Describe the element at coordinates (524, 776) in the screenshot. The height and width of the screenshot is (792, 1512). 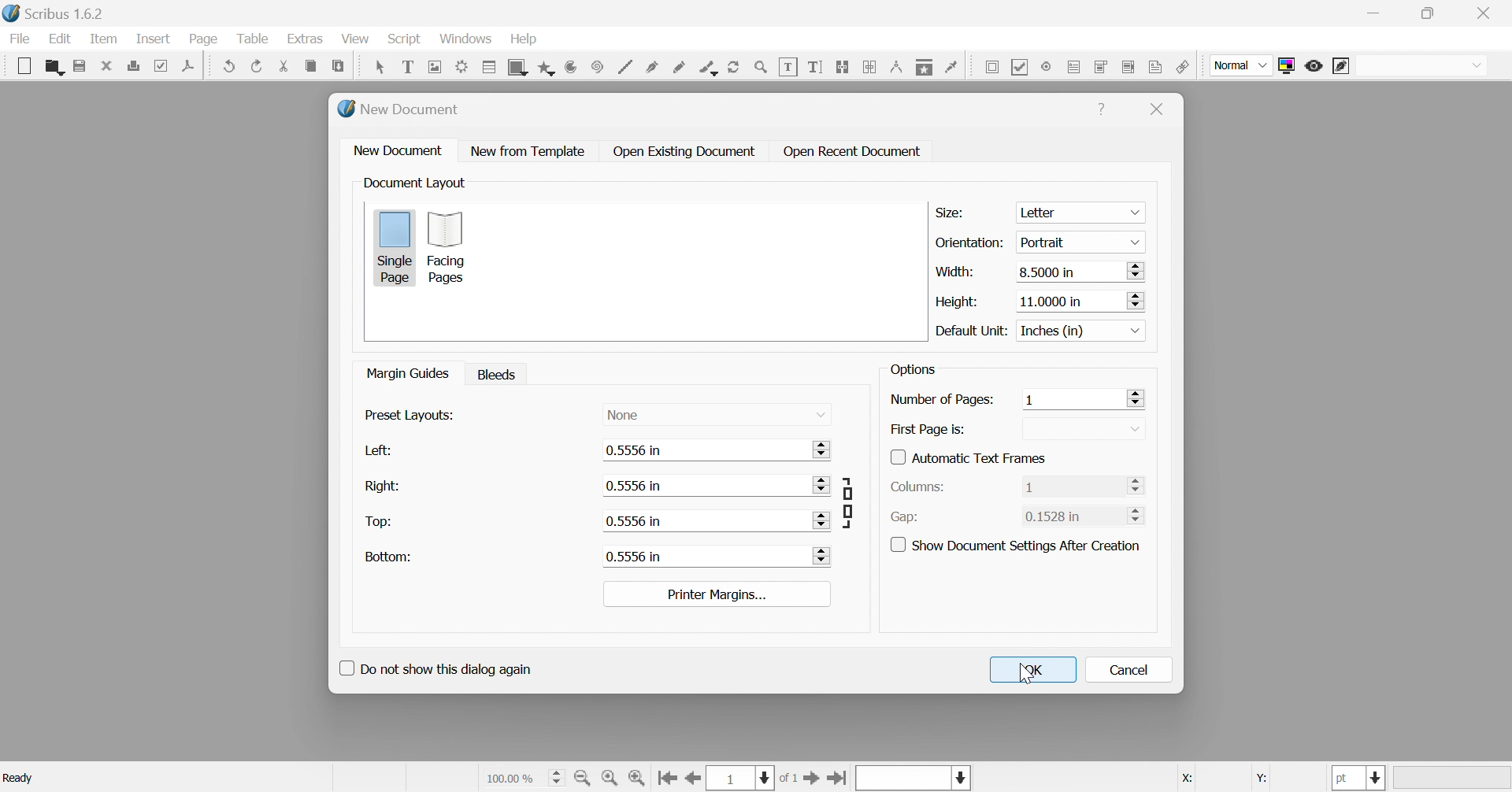
I see `select current size` at that location.